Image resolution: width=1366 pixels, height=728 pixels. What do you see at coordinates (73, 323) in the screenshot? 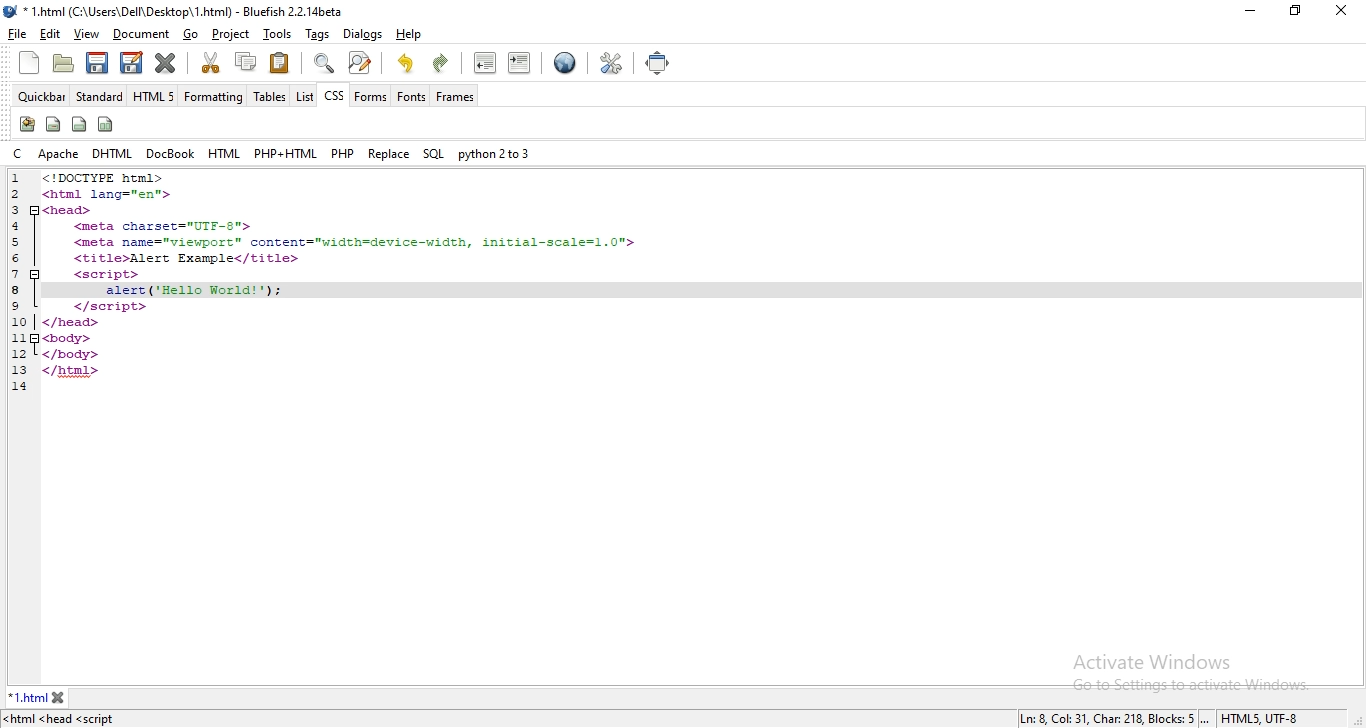
I see `</head>` at bounding box center [73, 323].